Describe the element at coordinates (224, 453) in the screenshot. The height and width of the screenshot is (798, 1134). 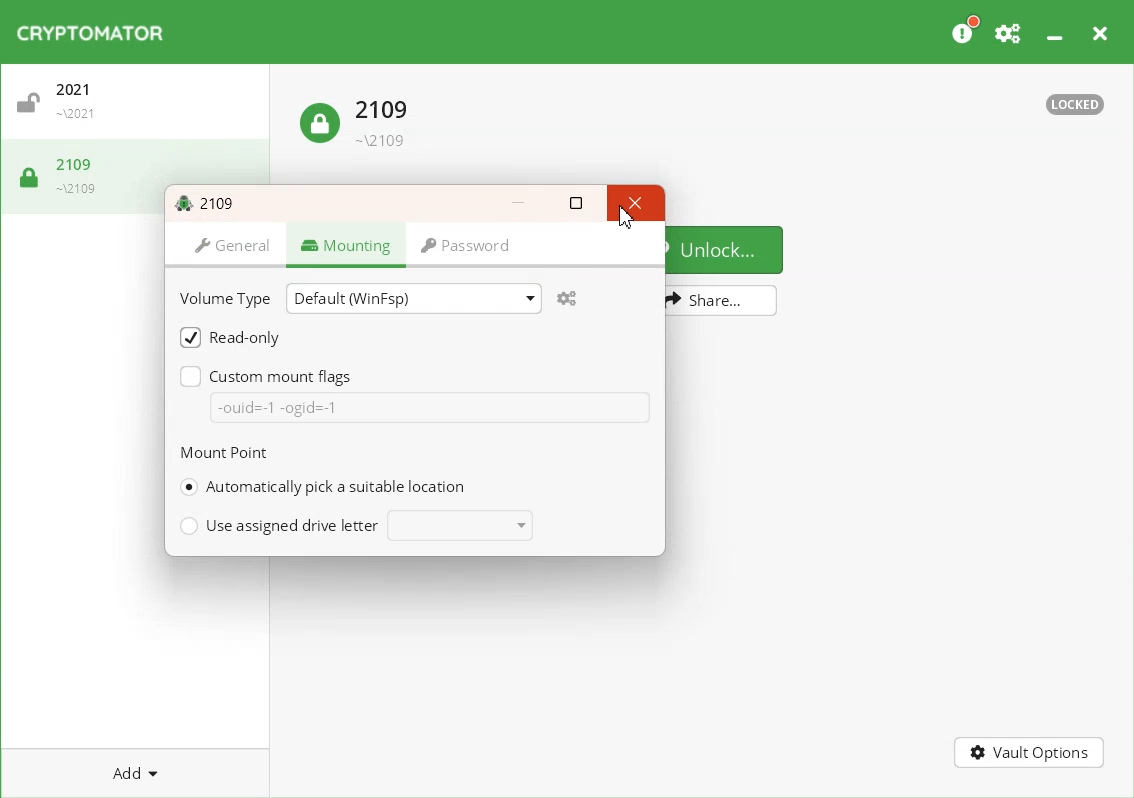
I see `Text 2` at that location.